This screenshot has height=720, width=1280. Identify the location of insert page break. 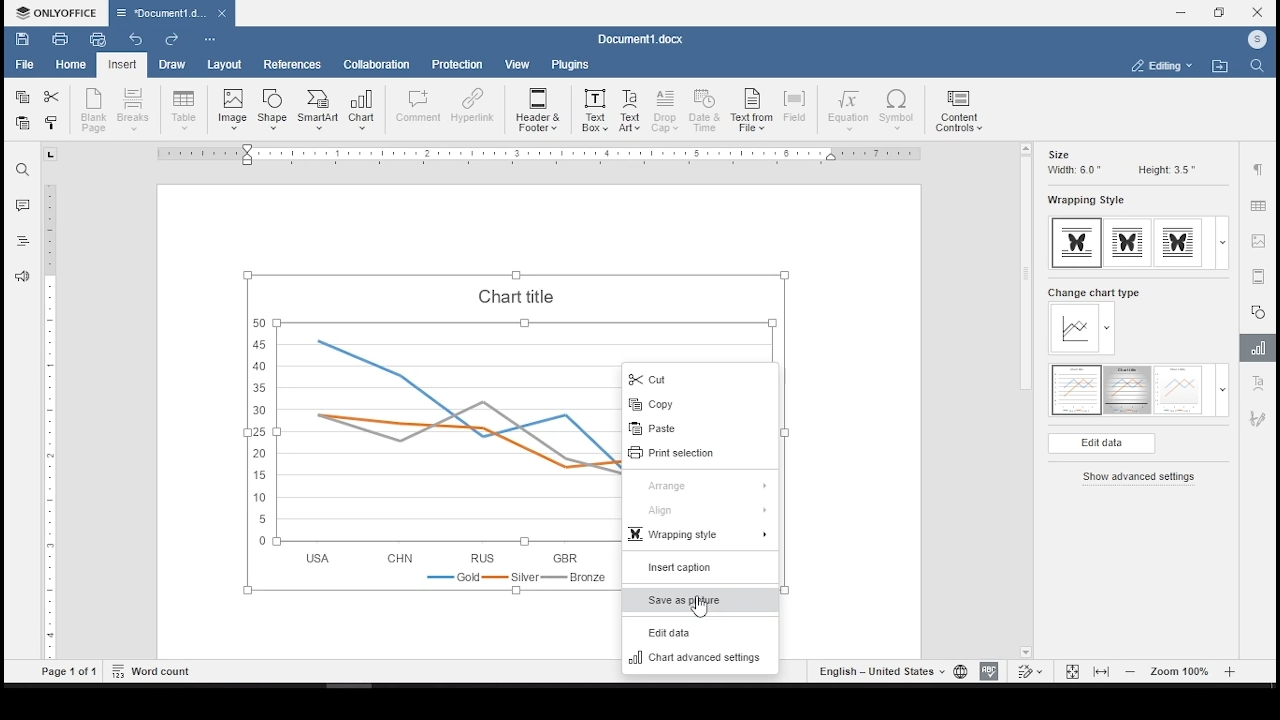
(136, 109).